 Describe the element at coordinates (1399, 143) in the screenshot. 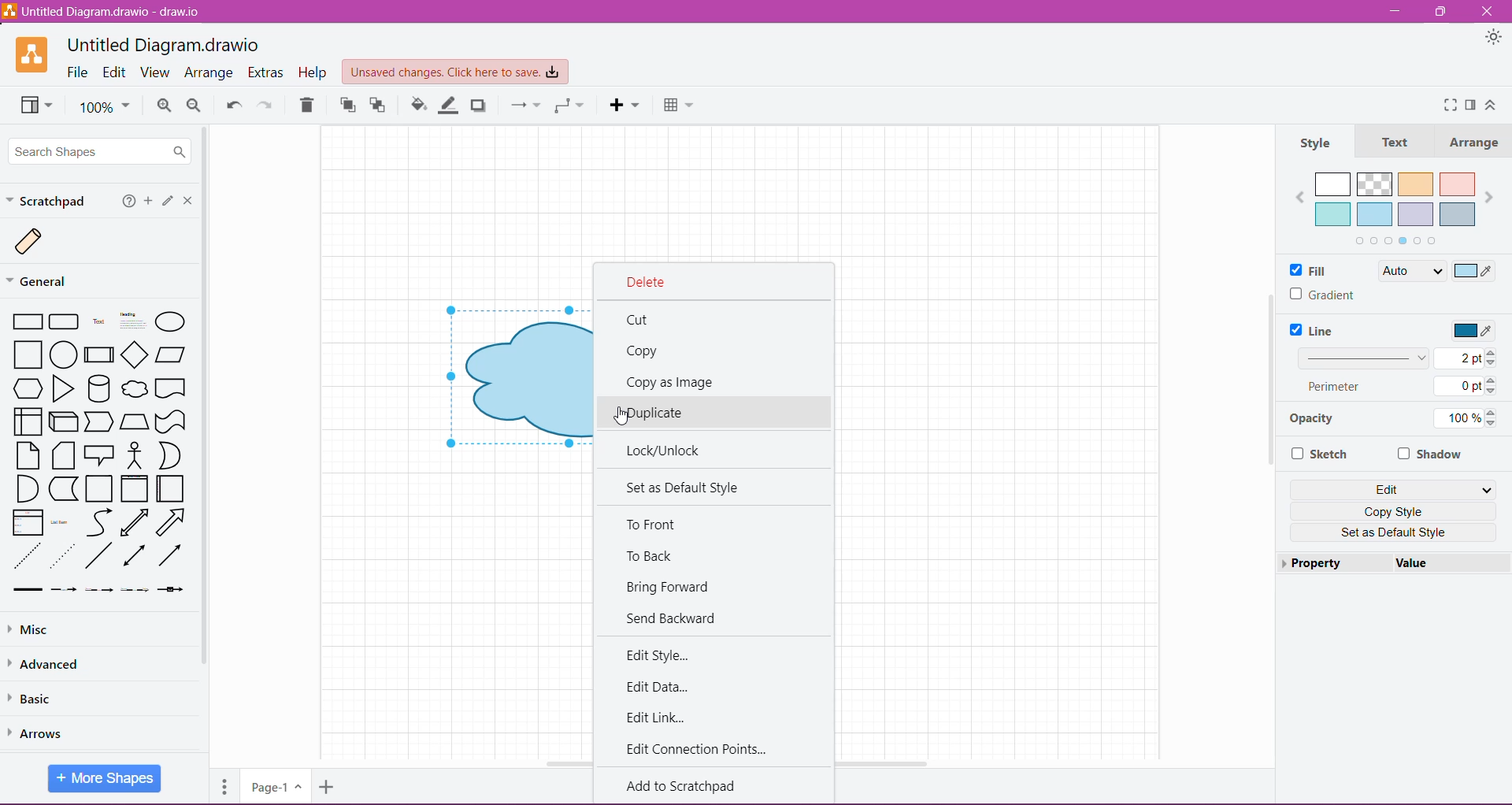

I see `Text` at that location.